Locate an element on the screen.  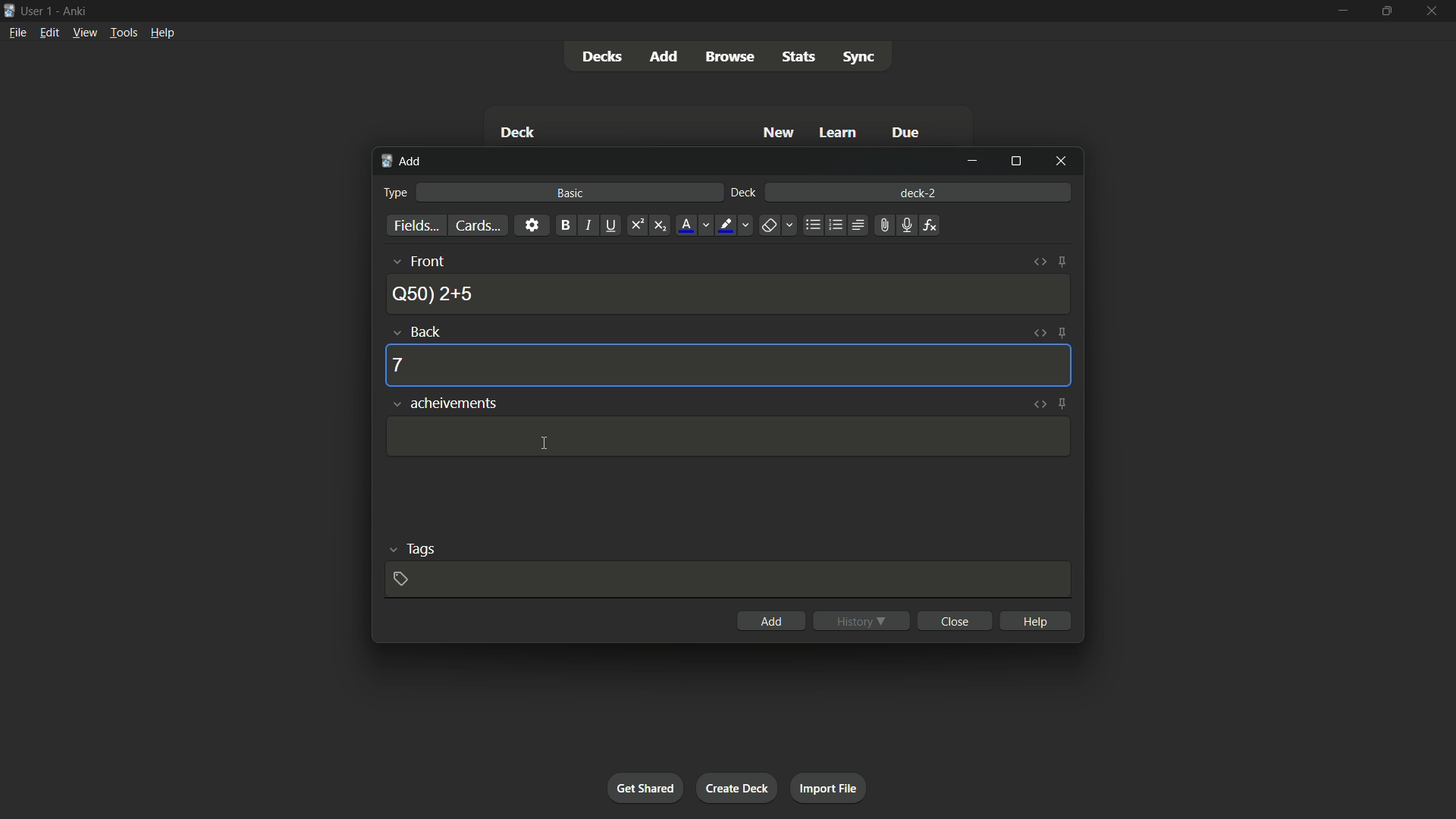
fields is located at coordinates (415, 226).